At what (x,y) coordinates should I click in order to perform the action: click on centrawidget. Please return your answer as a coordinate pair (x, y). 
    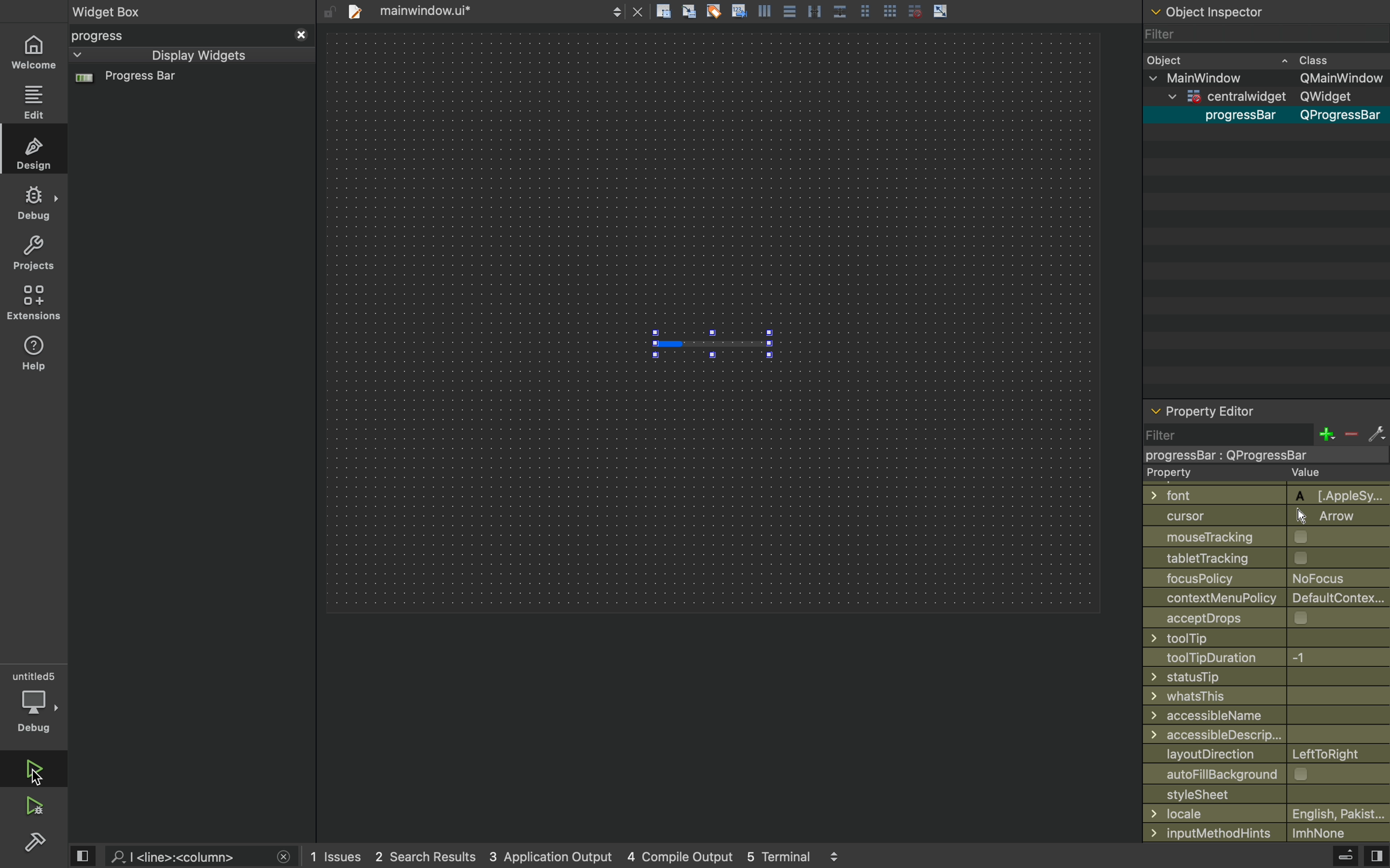
    Looking at the image, I should click on (1261, 98).